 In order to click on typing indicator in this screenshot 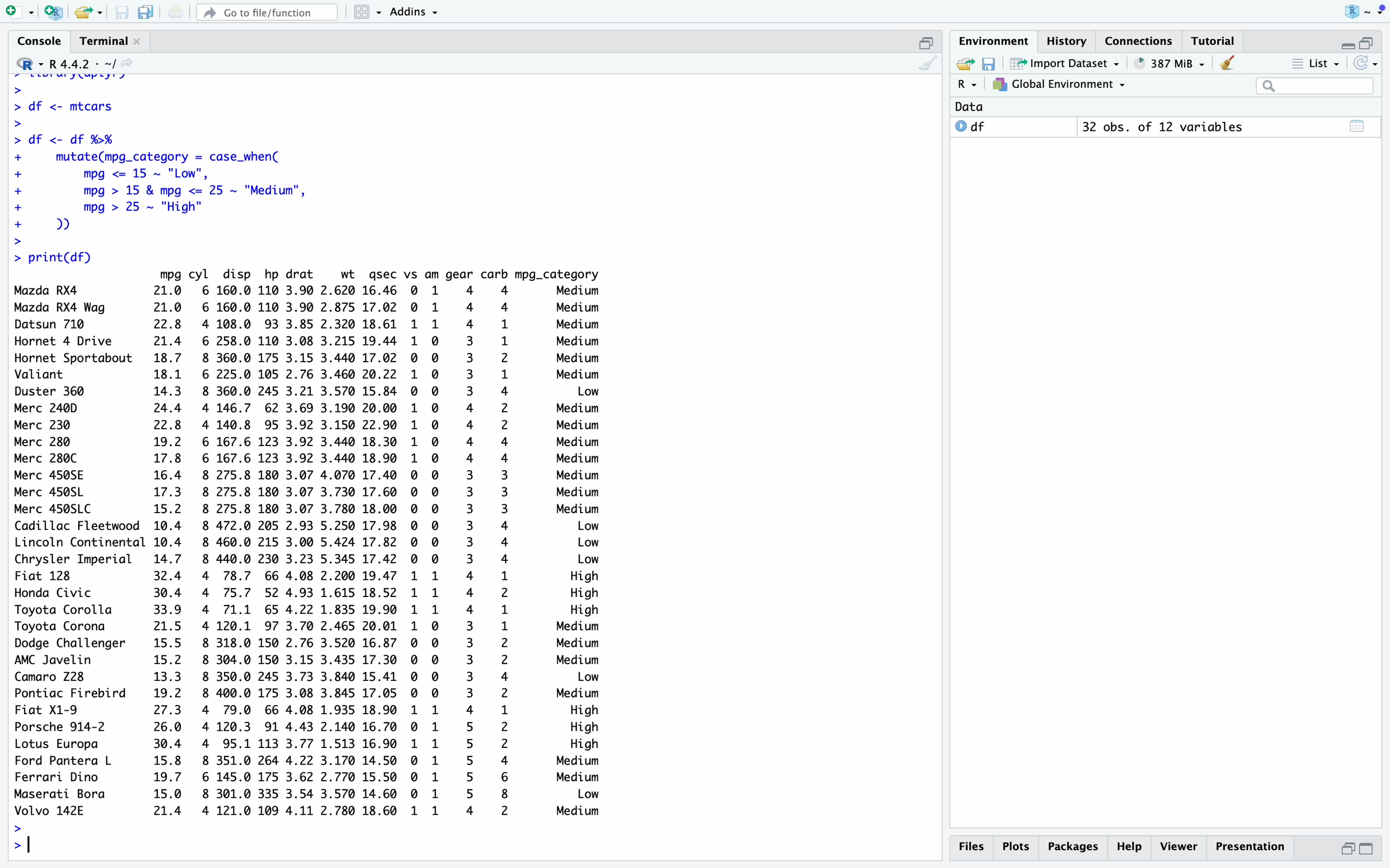, I will do `click(34, 845)`.